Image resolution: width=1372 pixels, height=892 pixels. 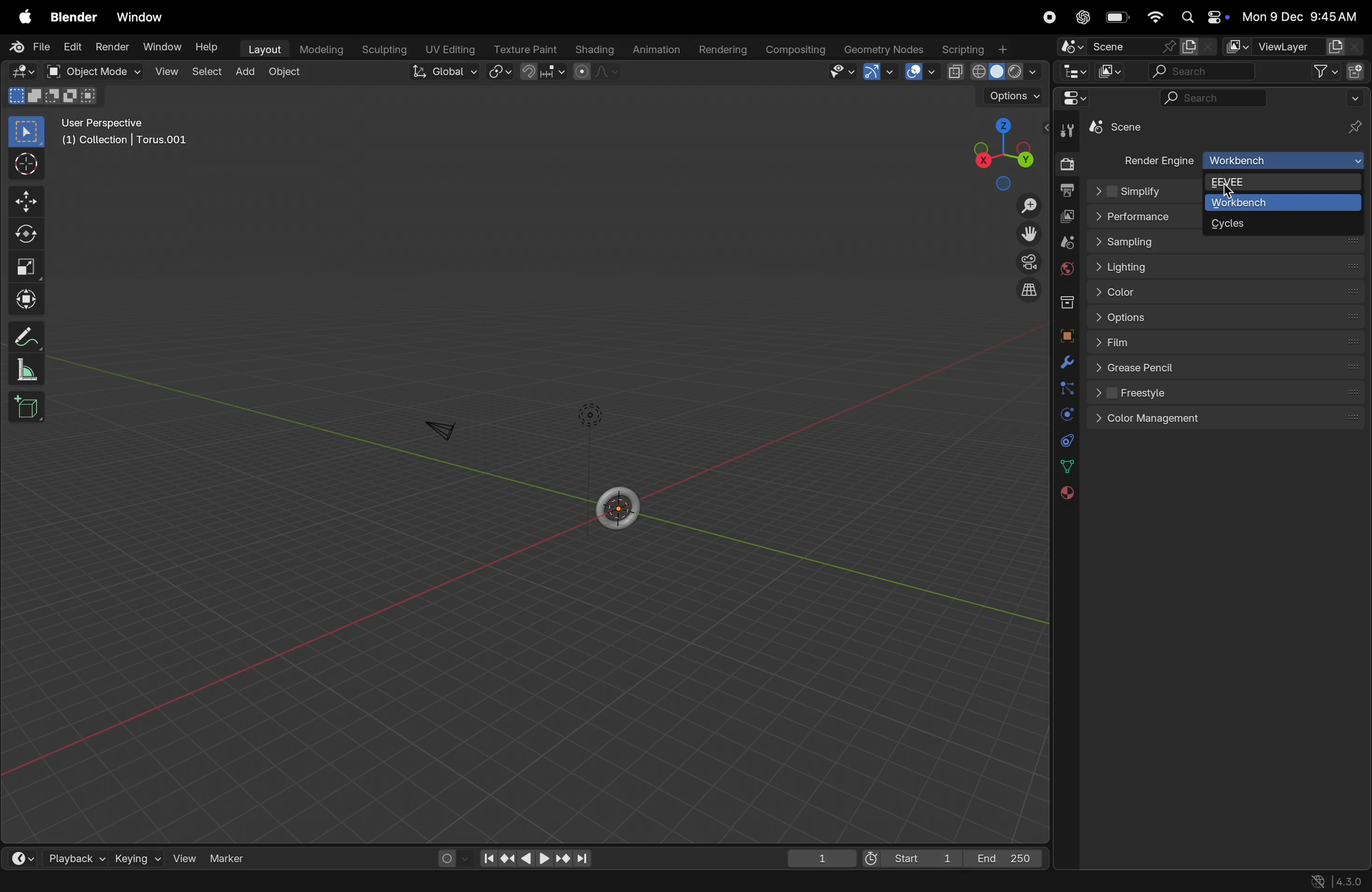 I want to click on physics, so click(x=1064, y=415).